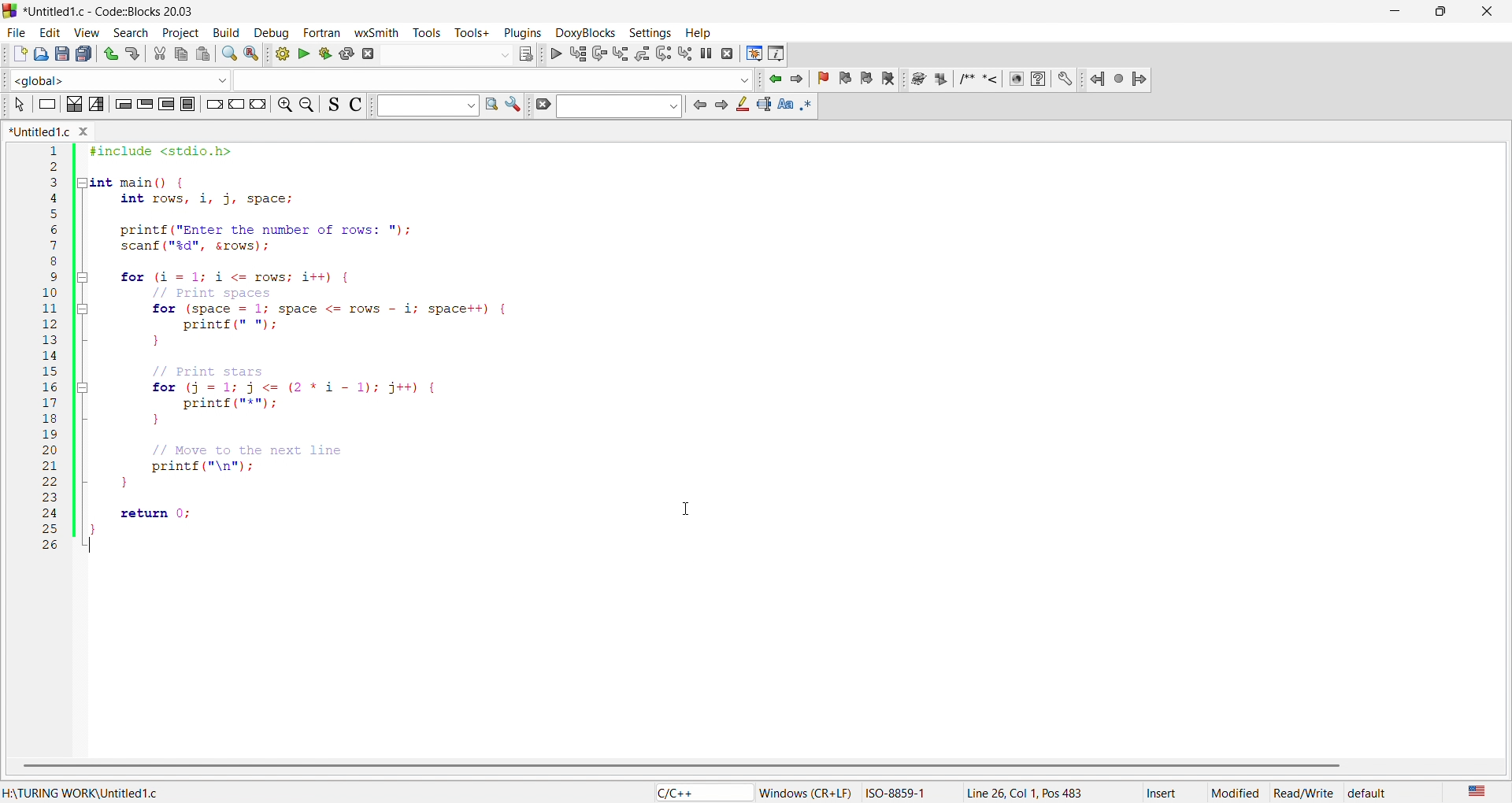 Image resolution: width=1512 pixels, height=803 pixels. I want to click on docxy blocks, so click(988, 81).